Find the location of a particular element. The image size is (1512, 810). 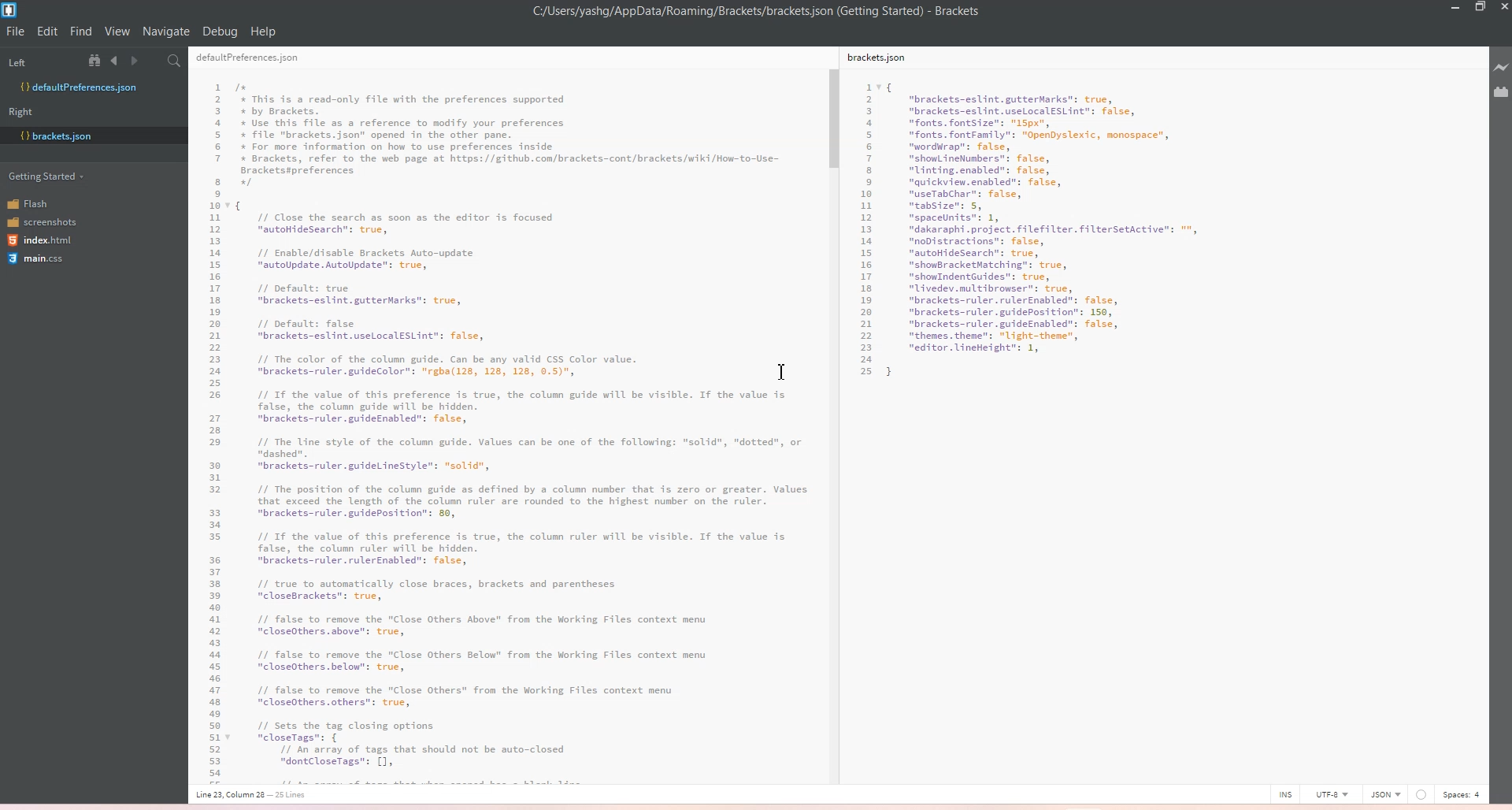

UTF-8 is located at coordinates (1331, 793).